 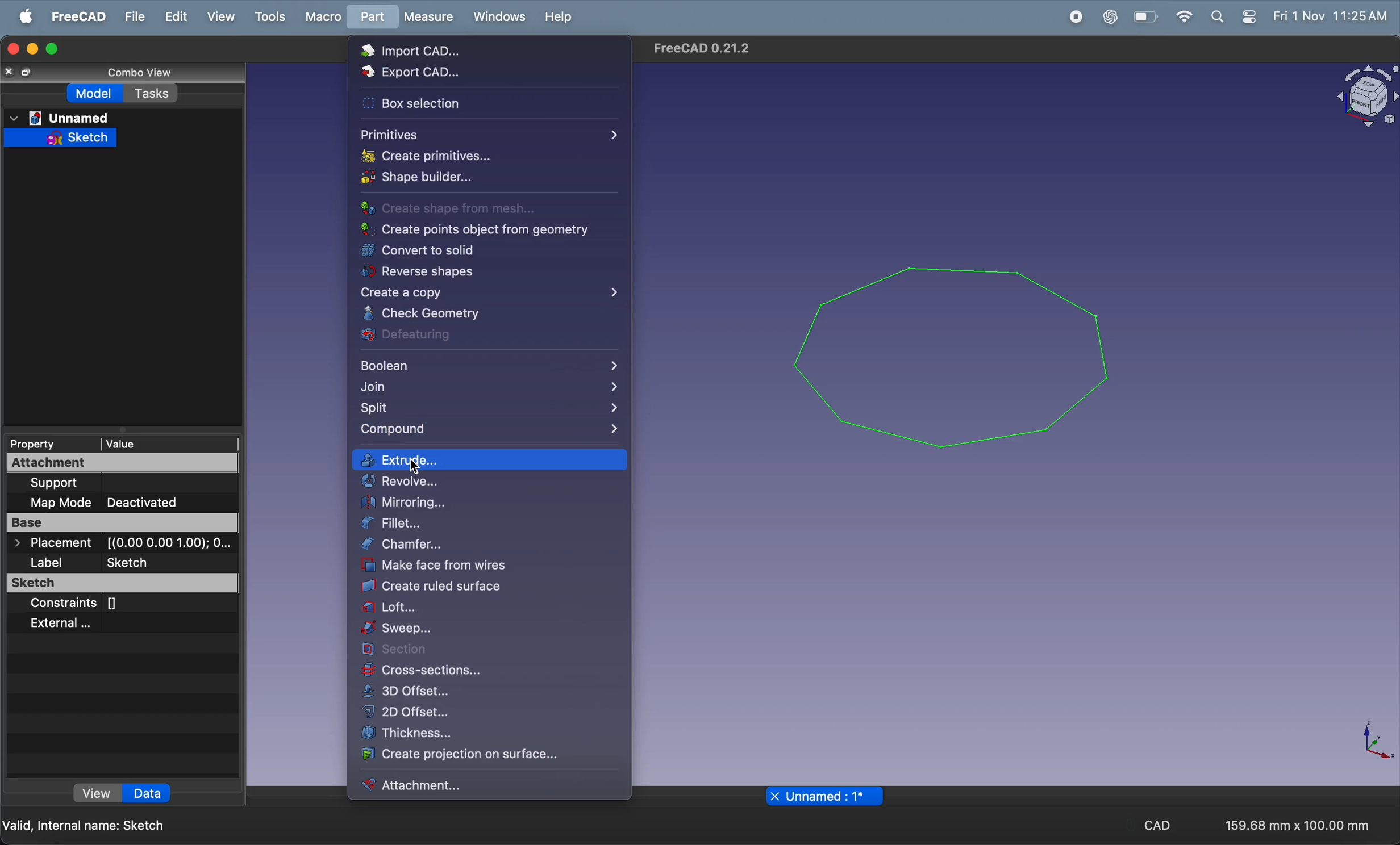 What do you see at coordinates (152, 94) in the screenshot?
I see `tasks` at bounding box center [152, 94].